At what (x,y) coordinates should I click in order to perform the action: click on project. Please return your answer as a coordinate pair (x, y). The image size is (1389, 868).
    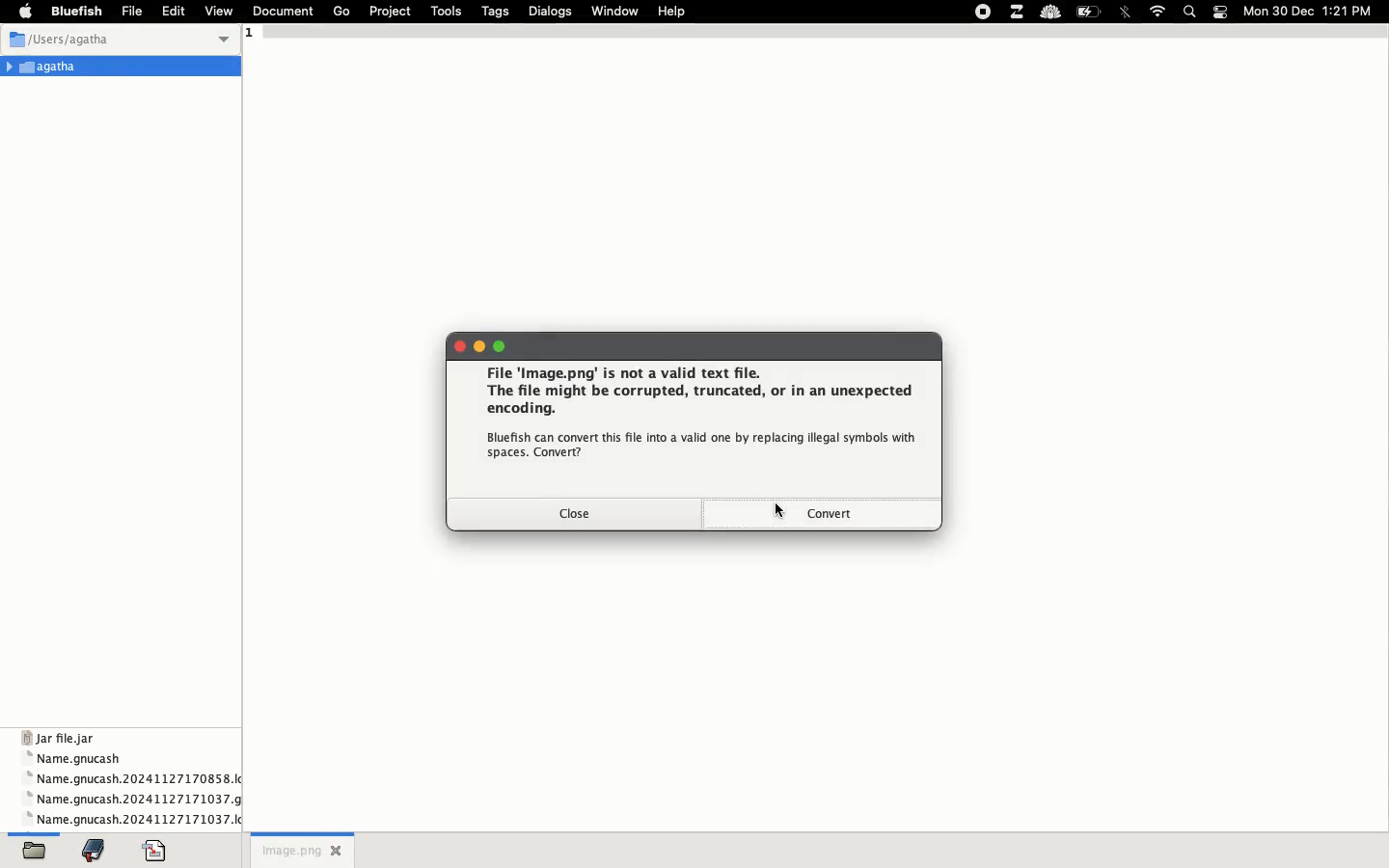
    Looking at the image, I should click on (393, 11).